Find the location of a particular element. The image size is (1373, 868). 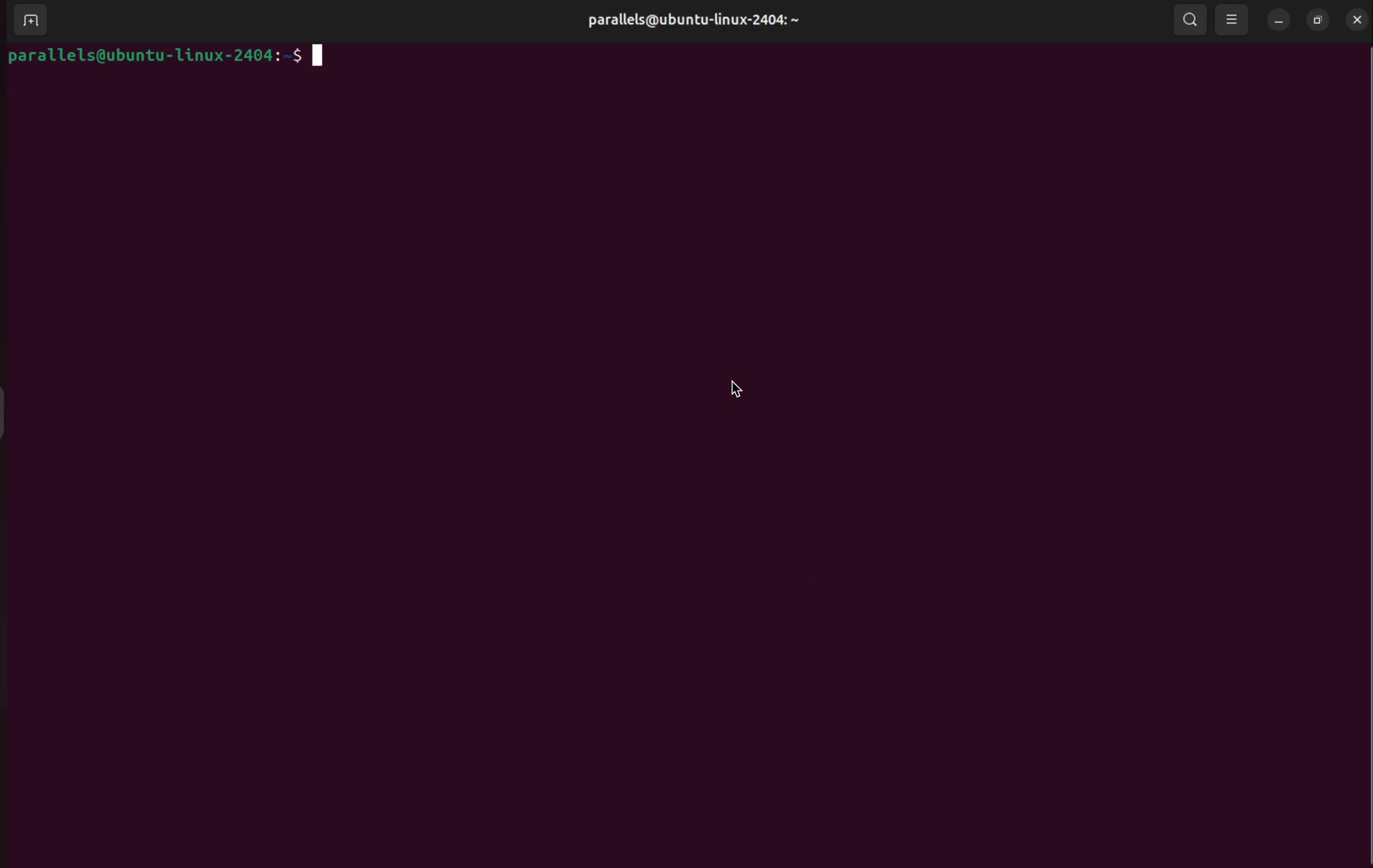

Scroll Bar is located at coordinates (1360, 443).